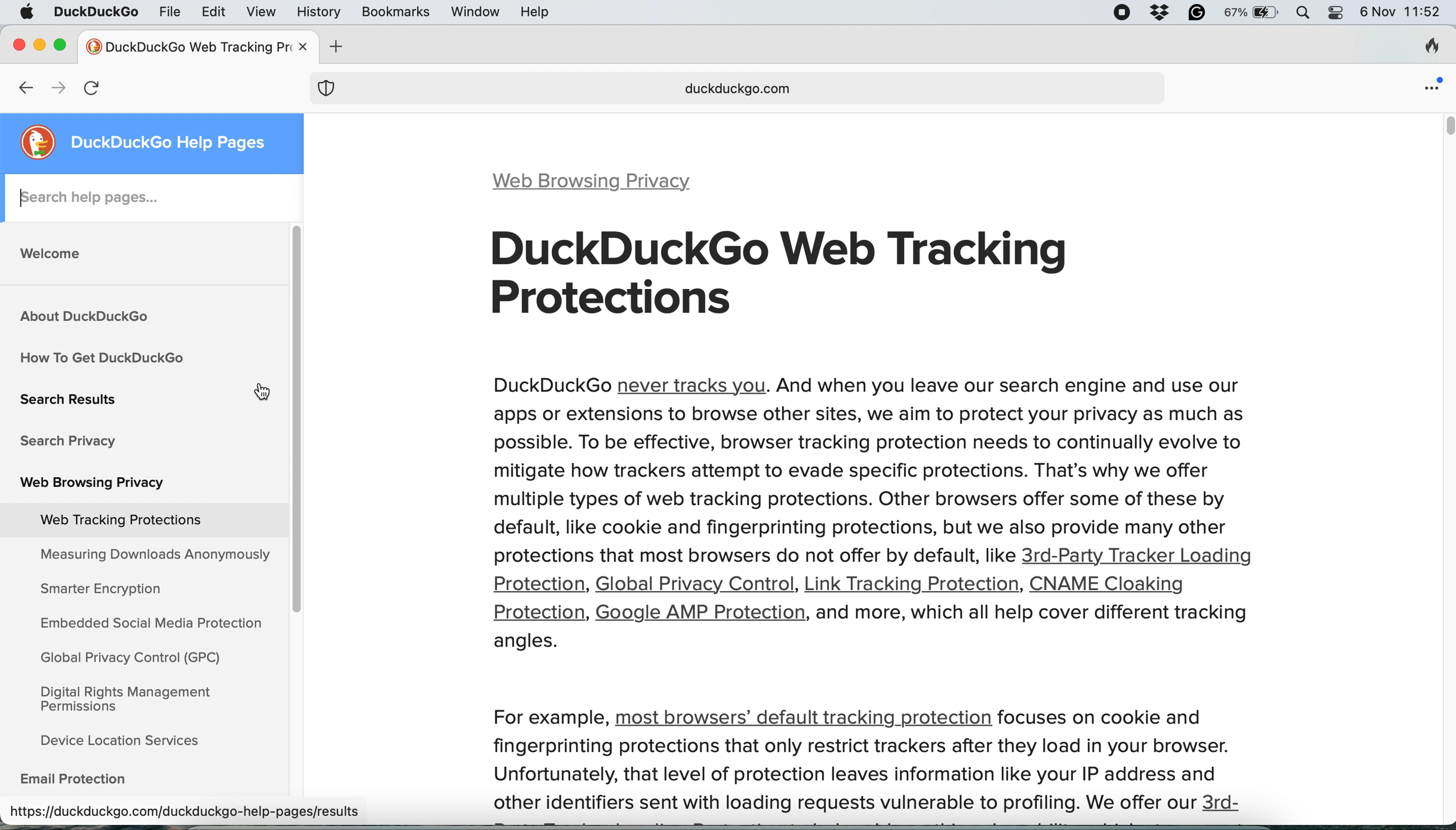 The height and width of the screenshot is (830, 1456). What do you see at coordinates (15, 86) in the screenshot?
I see `go back` at bounding box center [15, 86].